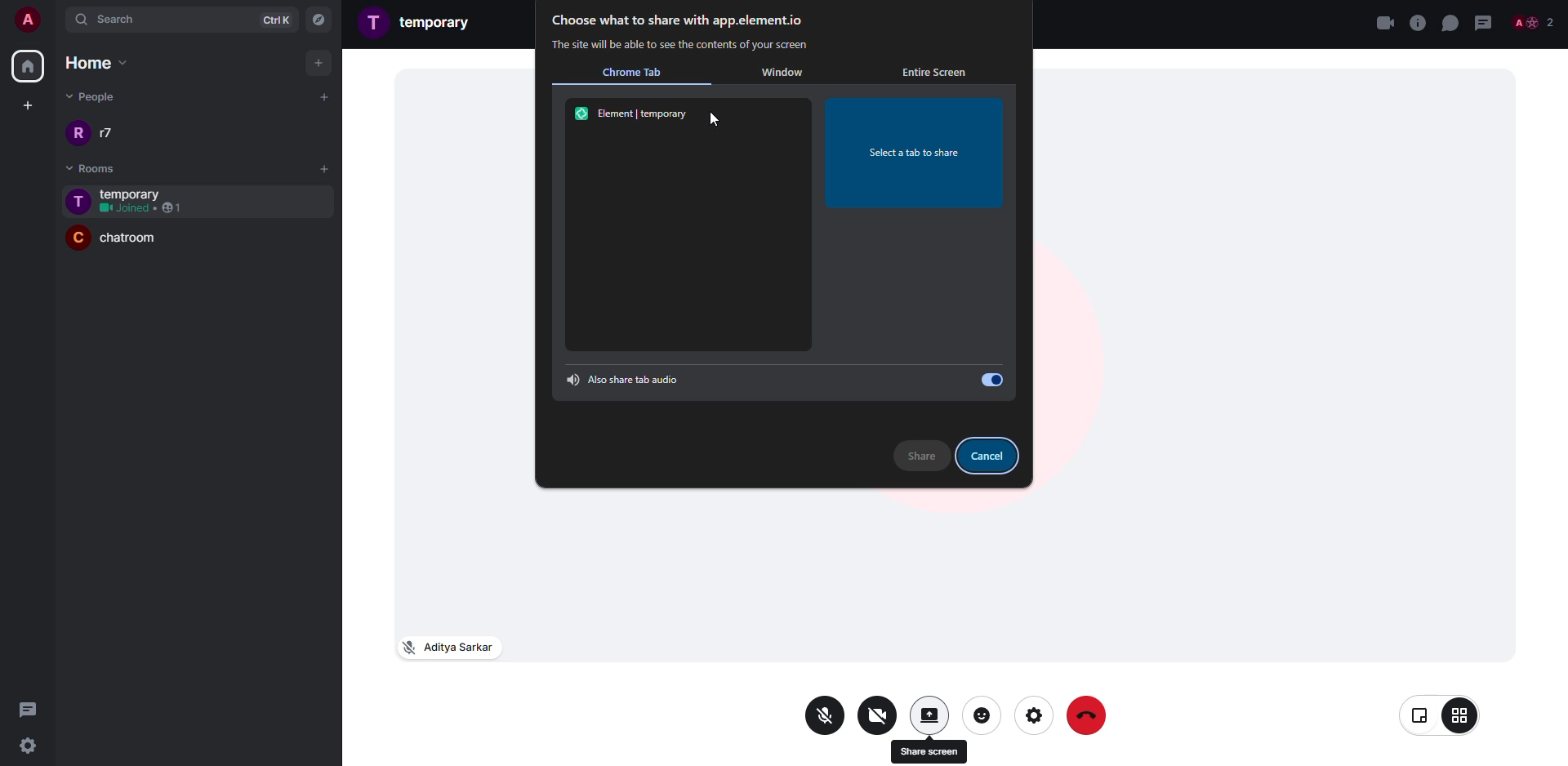 The height and width of the screenshot is (766, 1568). Describe the element at coordinates (1441, 715) in the screenshot. I see `view change` at that location.